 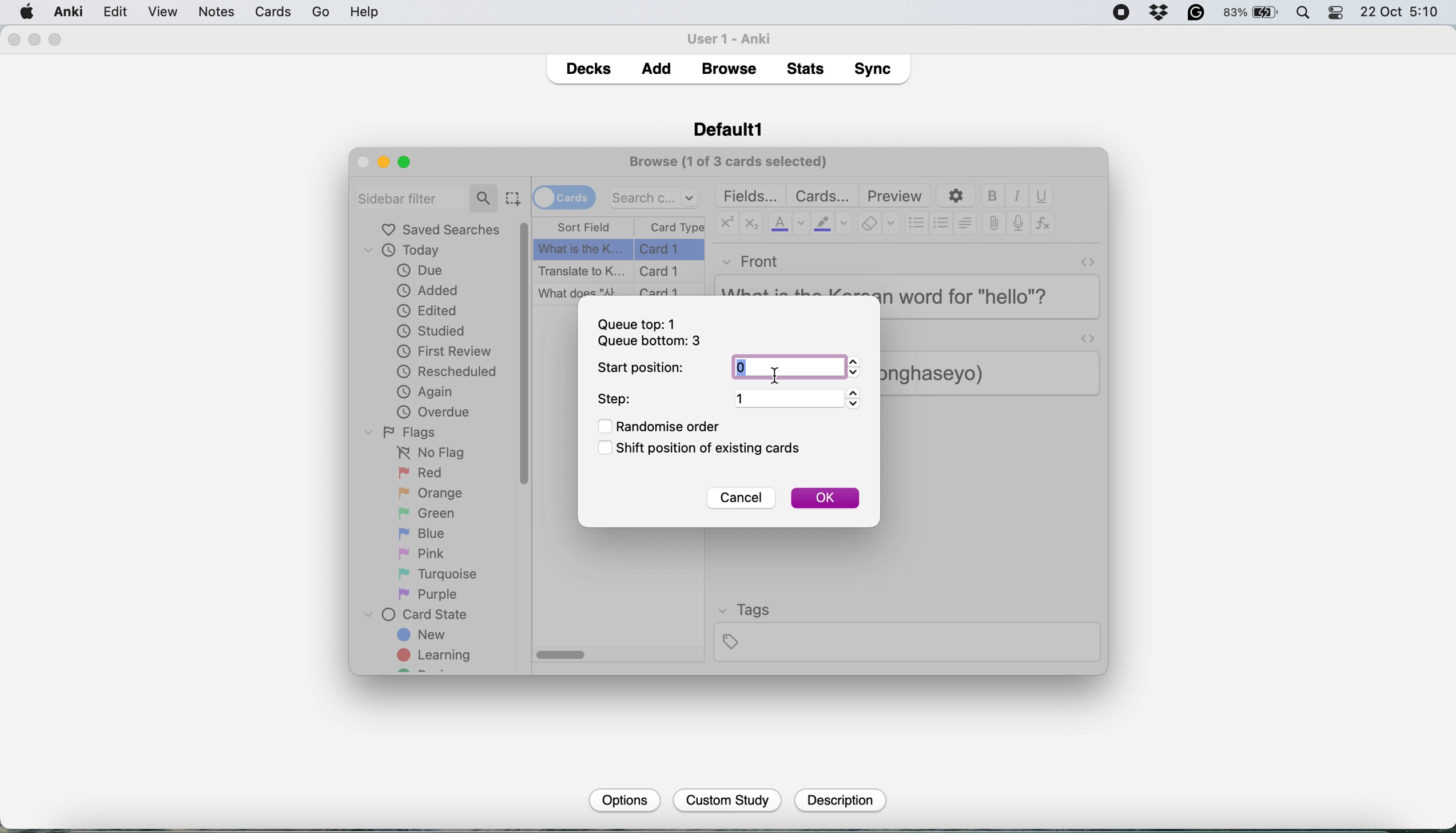 I want to click on search bar, so click(x=655, y=197).